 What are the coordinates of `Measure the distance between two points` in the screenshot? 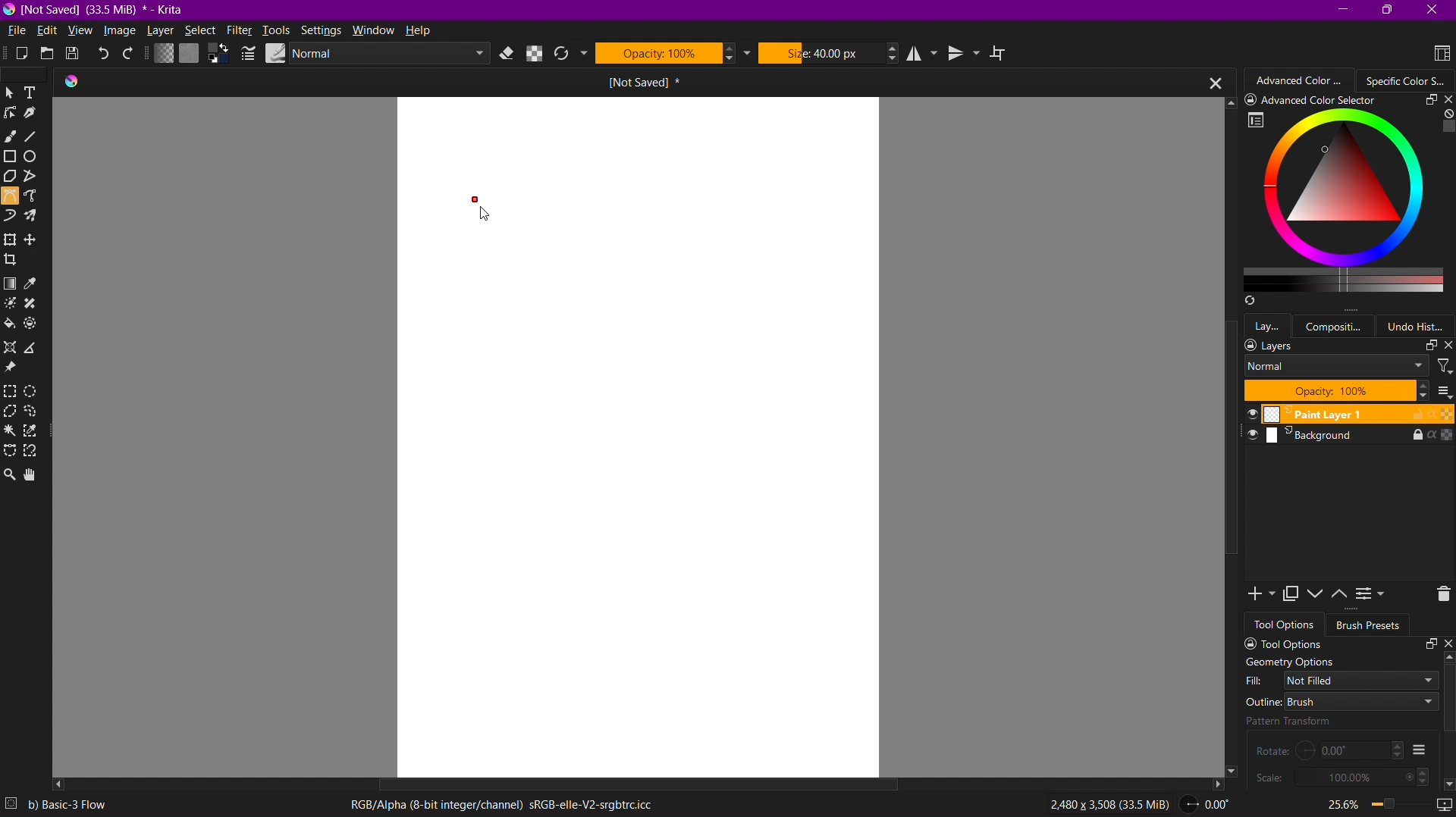 It's located at (35, 348).